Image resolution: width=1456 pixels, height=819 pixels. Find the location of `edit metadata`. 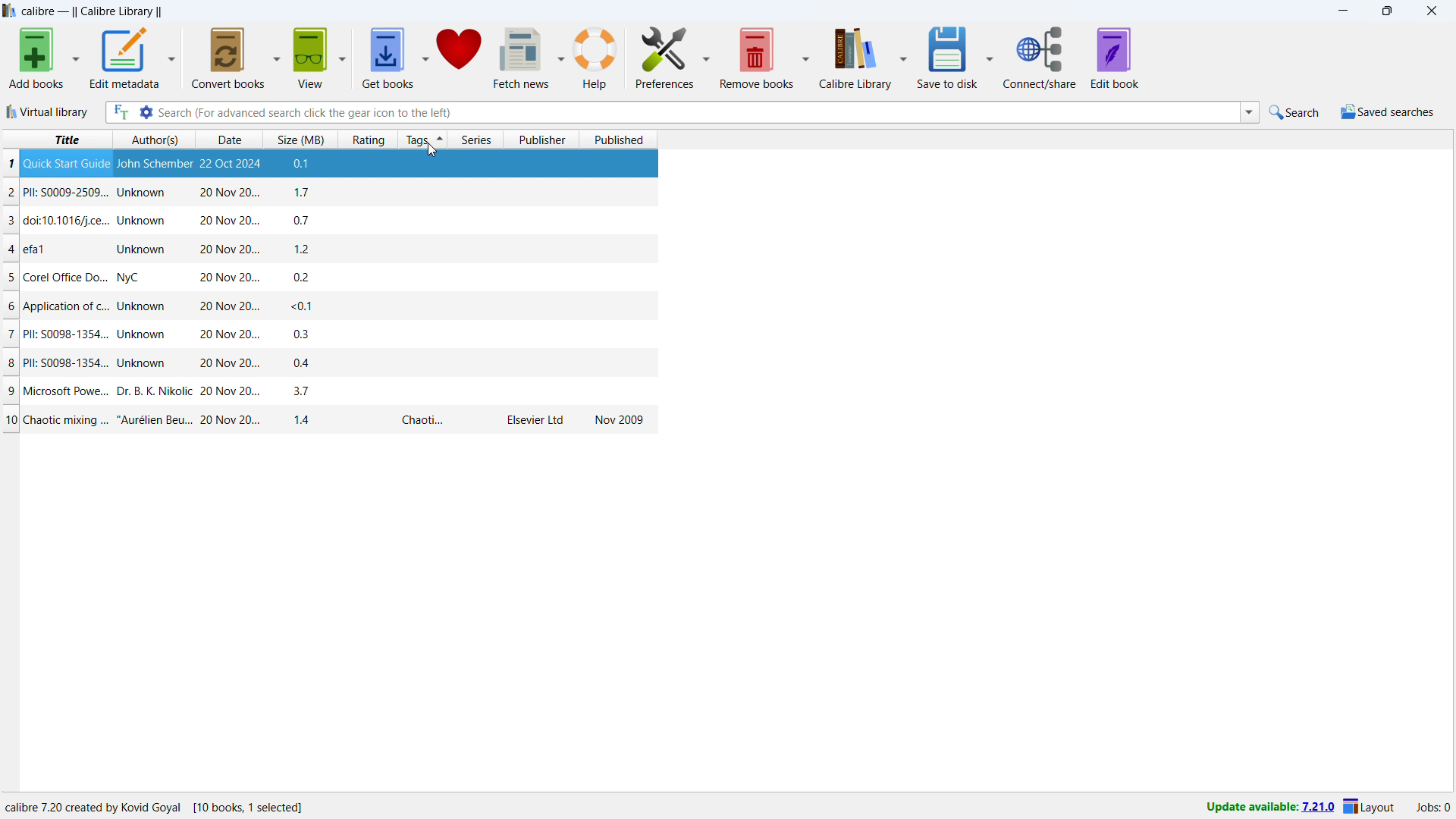

edit metadata is located at coordinates (123, 58).